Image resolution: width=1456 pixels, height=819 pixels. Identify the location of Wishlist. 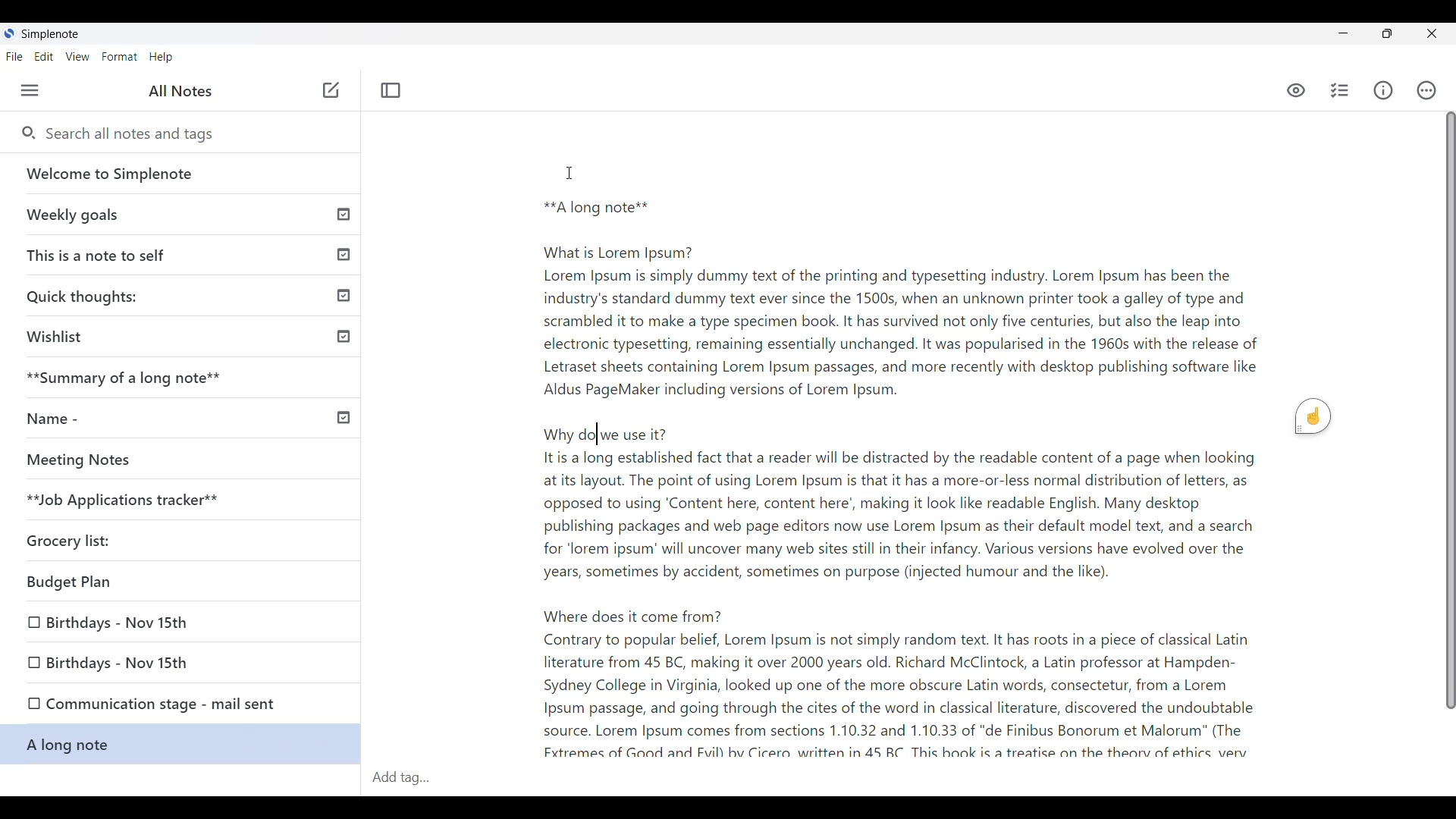
(184, 335).